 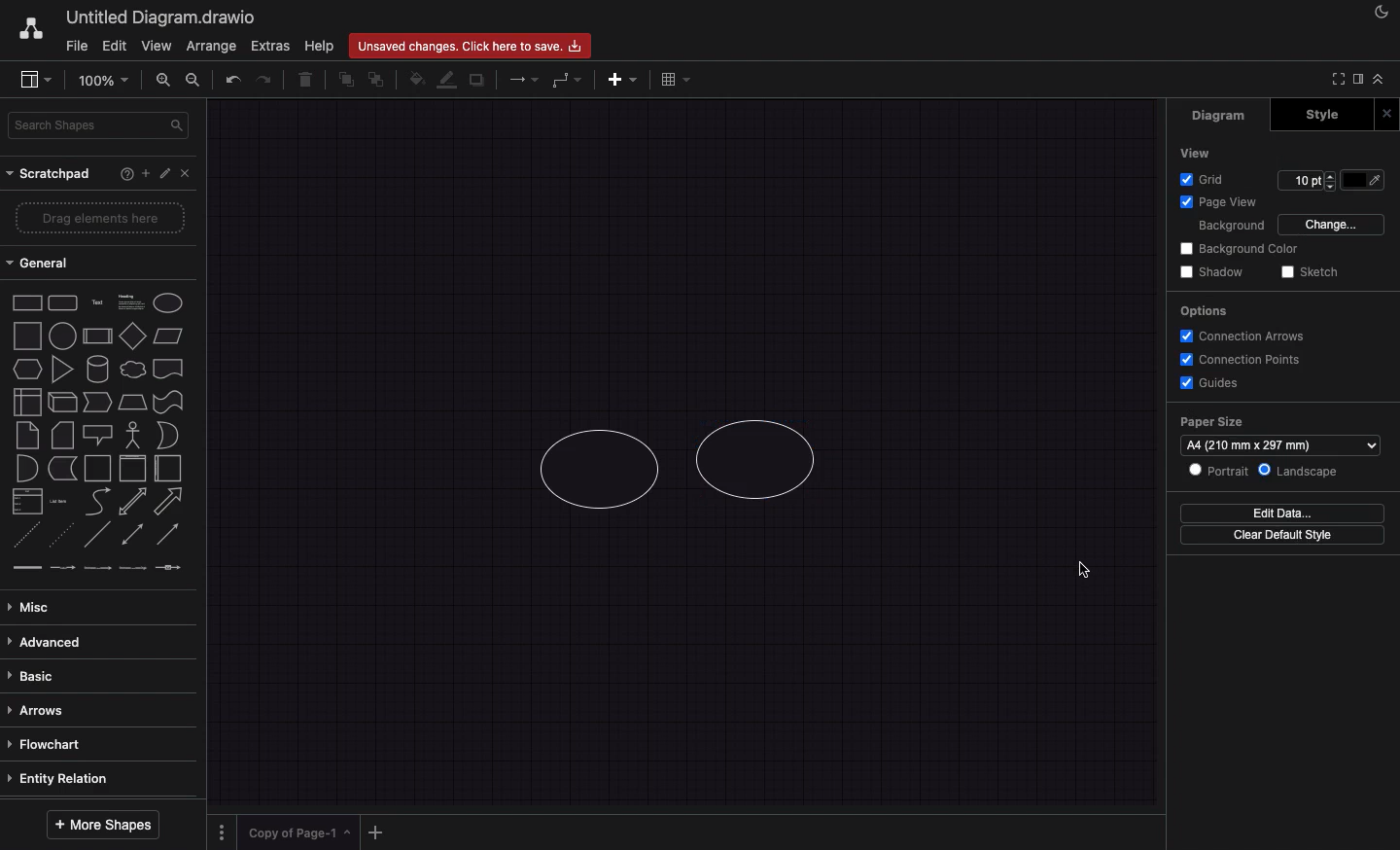 What do you see at coordinates (1232, 228) in the screenshot?
I see `background` at bounding box center [1232, 228].